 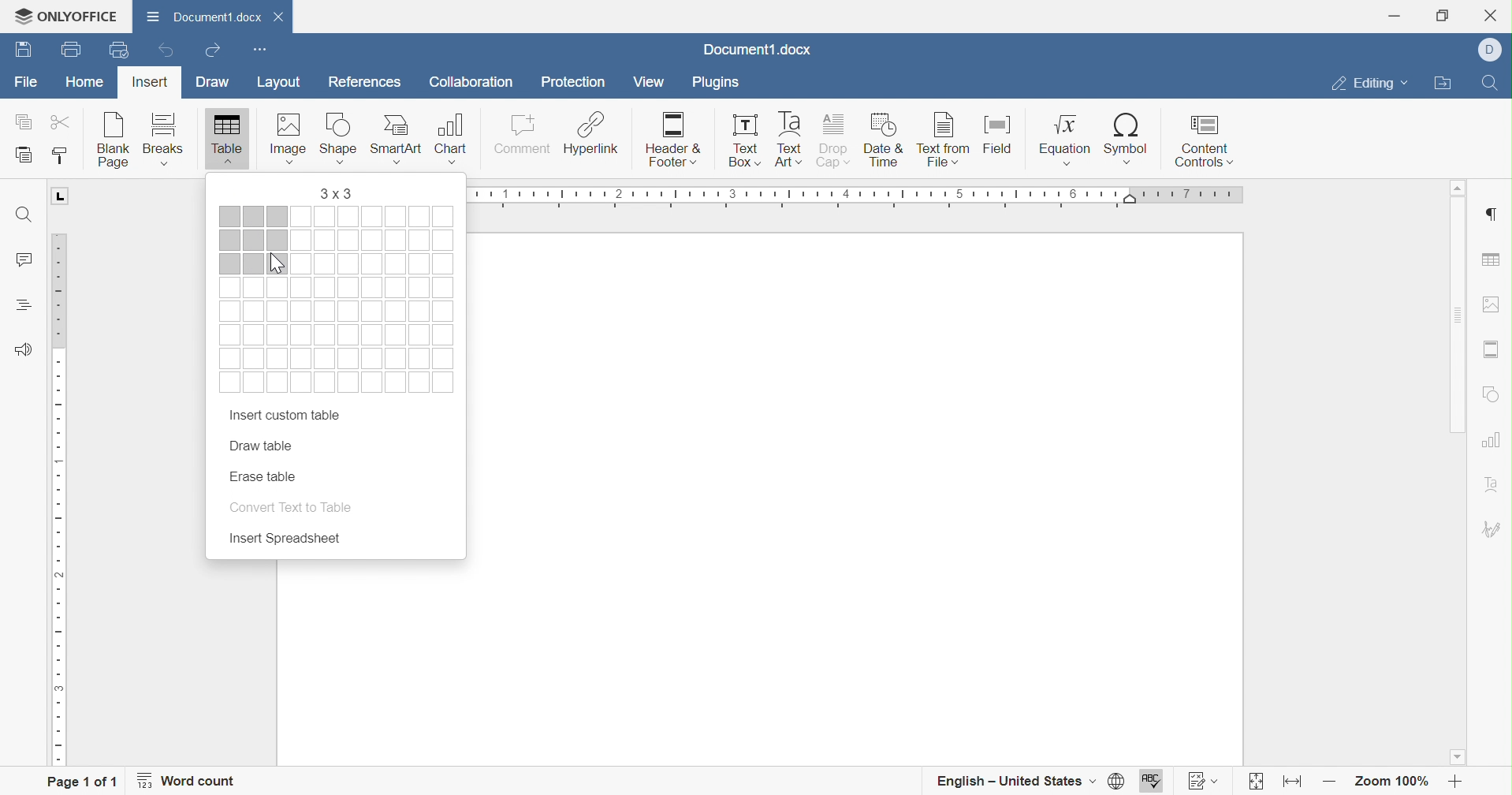 What do you see at coordinates (19, 121) in the screenshot?
I see `Copy` at bounding box center [19, 121].